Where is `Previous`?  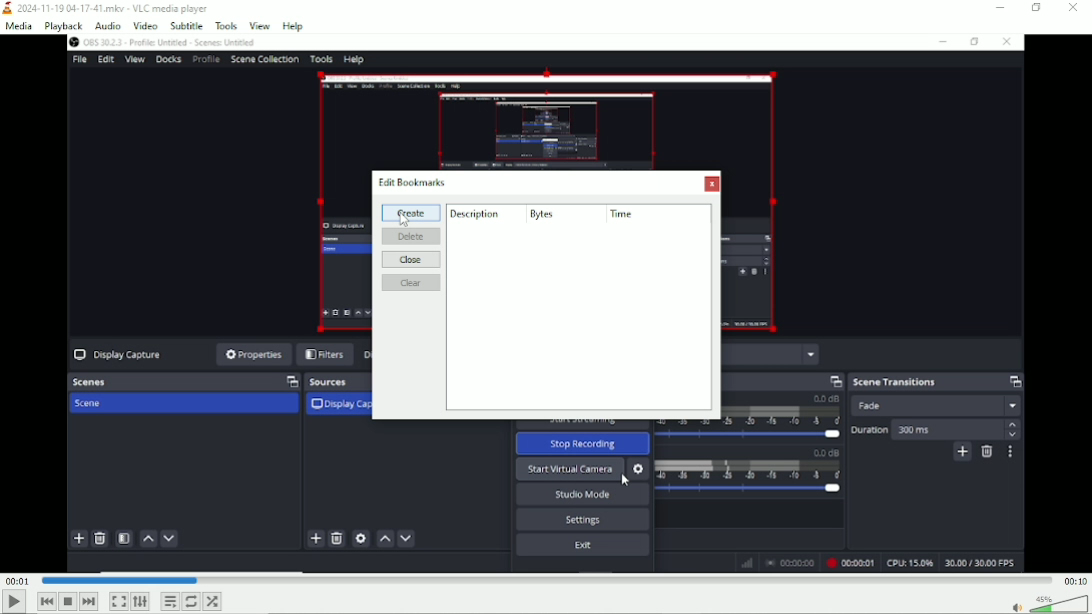
Previous is located at coordinates (46, 602).